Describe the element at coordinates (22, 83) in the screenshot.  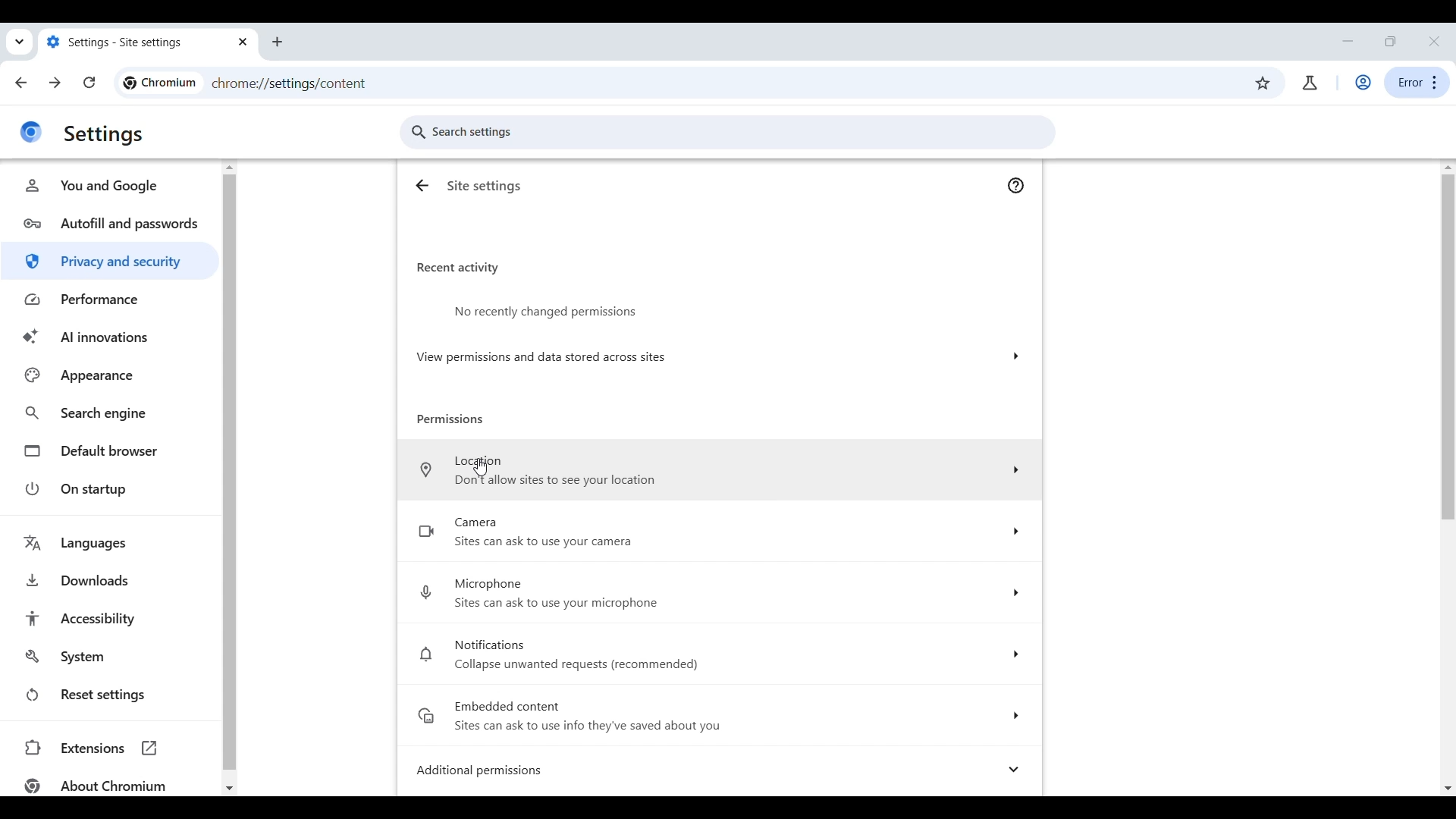
I see `Go back` at that location.